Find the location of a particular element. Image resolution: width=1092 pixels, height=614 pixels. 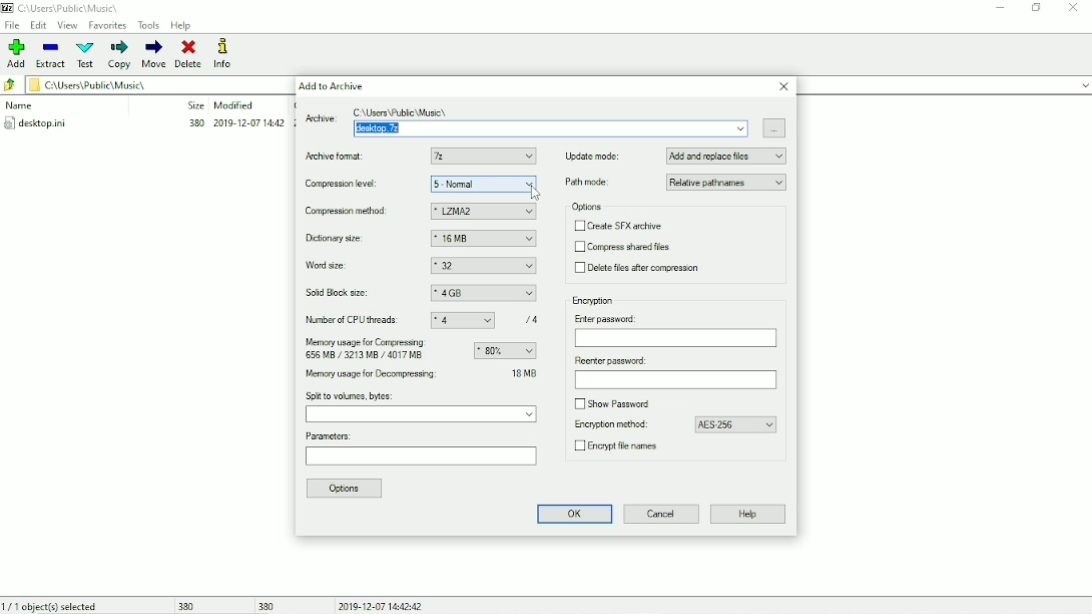

Enter password is located at coordinates (609, 318).